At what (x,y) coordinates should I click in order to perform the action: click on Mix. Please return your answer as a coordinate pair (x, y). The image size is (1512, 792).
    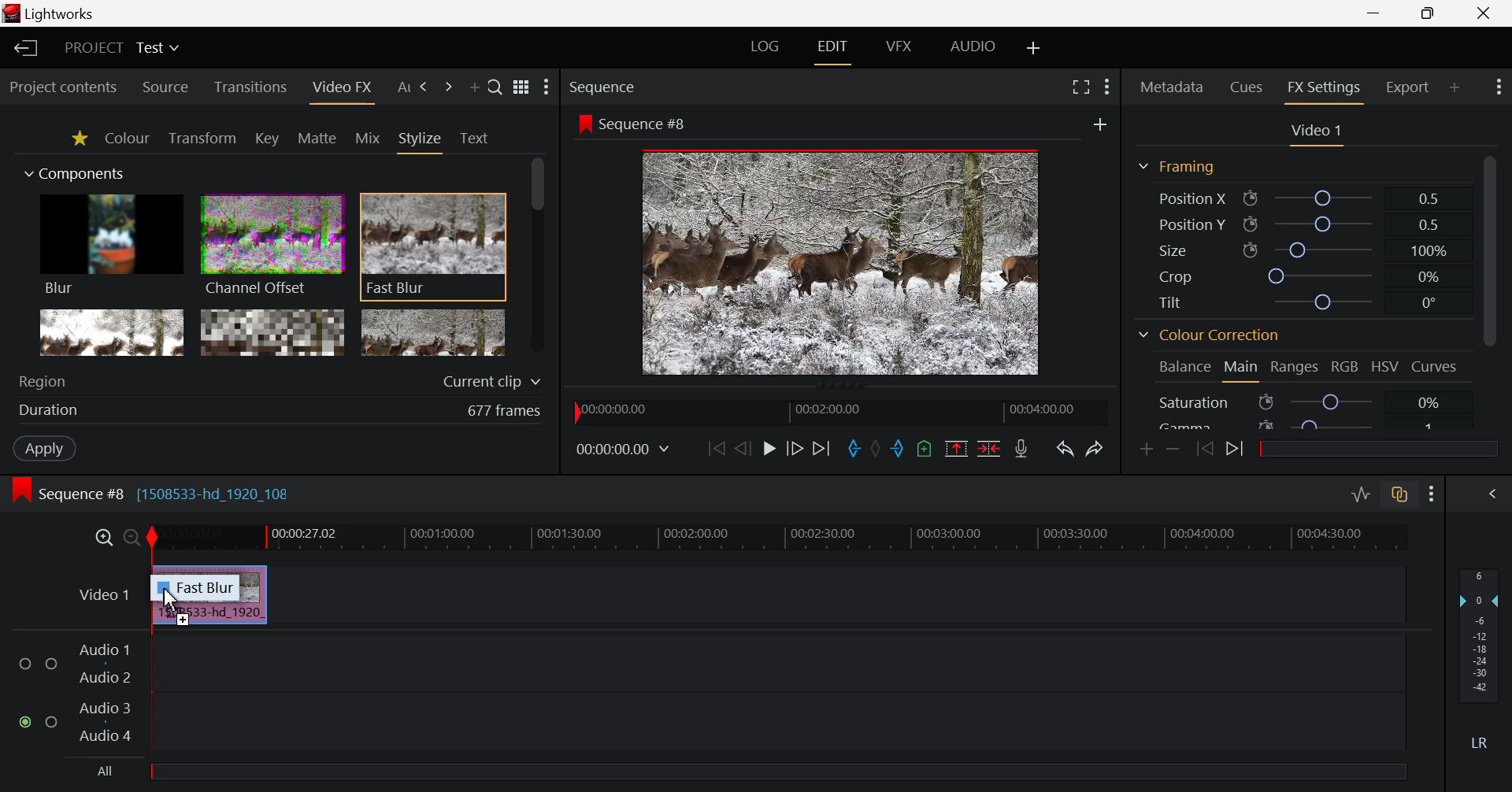
    Looking at the image, I should click on (367, 138).